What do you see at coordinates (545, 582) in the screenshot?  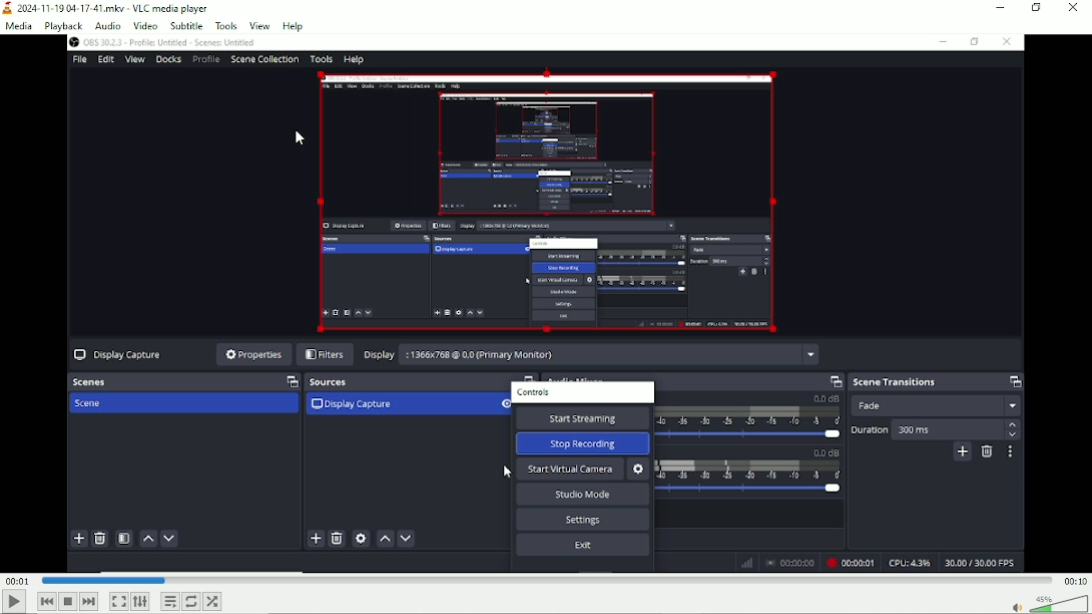 I see `Play duration` at bounding box center [545, 582].